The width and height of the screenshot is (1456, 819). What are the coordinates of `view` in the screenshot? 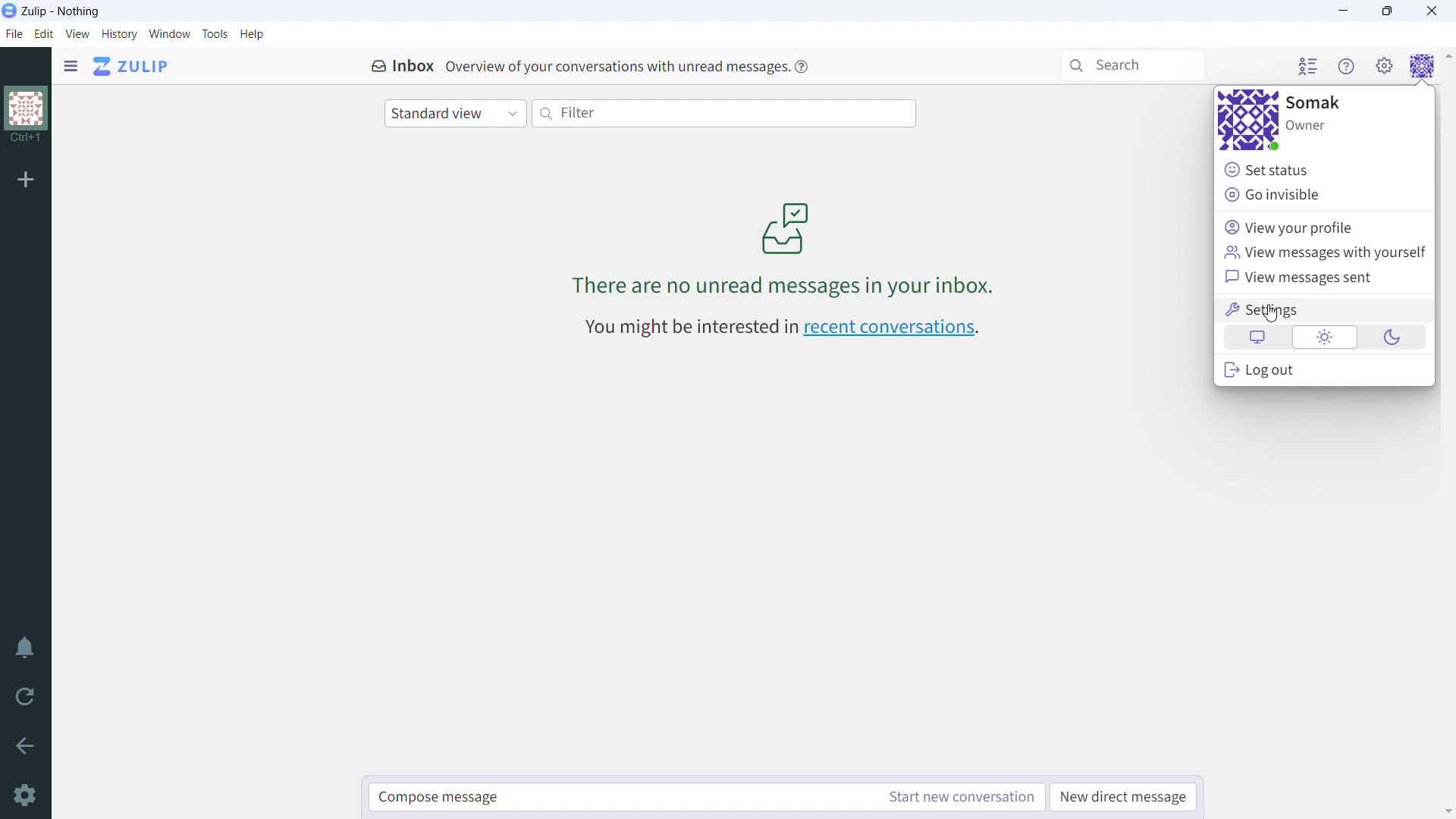 It's located at (78, 33).